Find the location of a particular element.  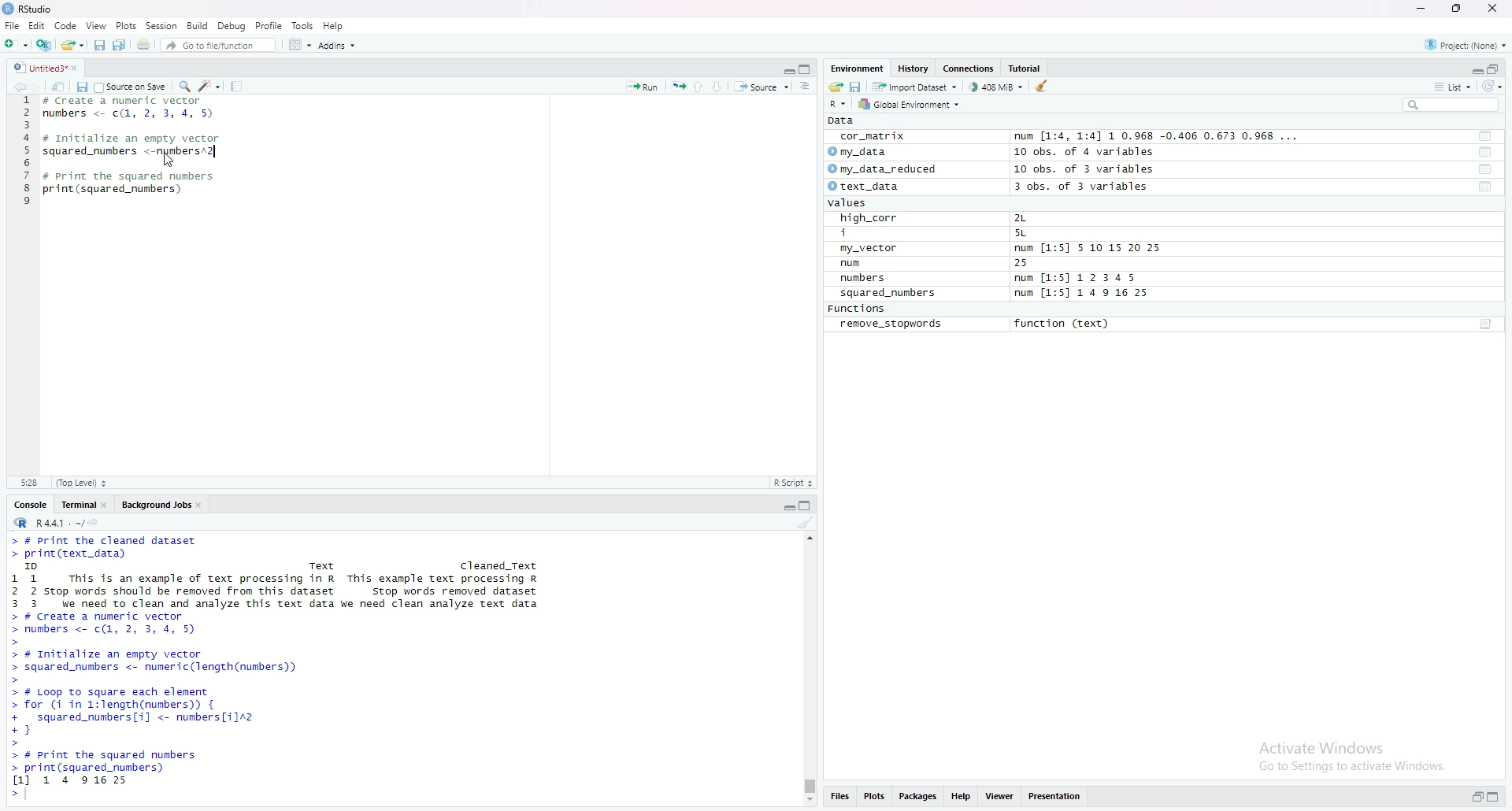

R Script is located at coordinates (793, 482).